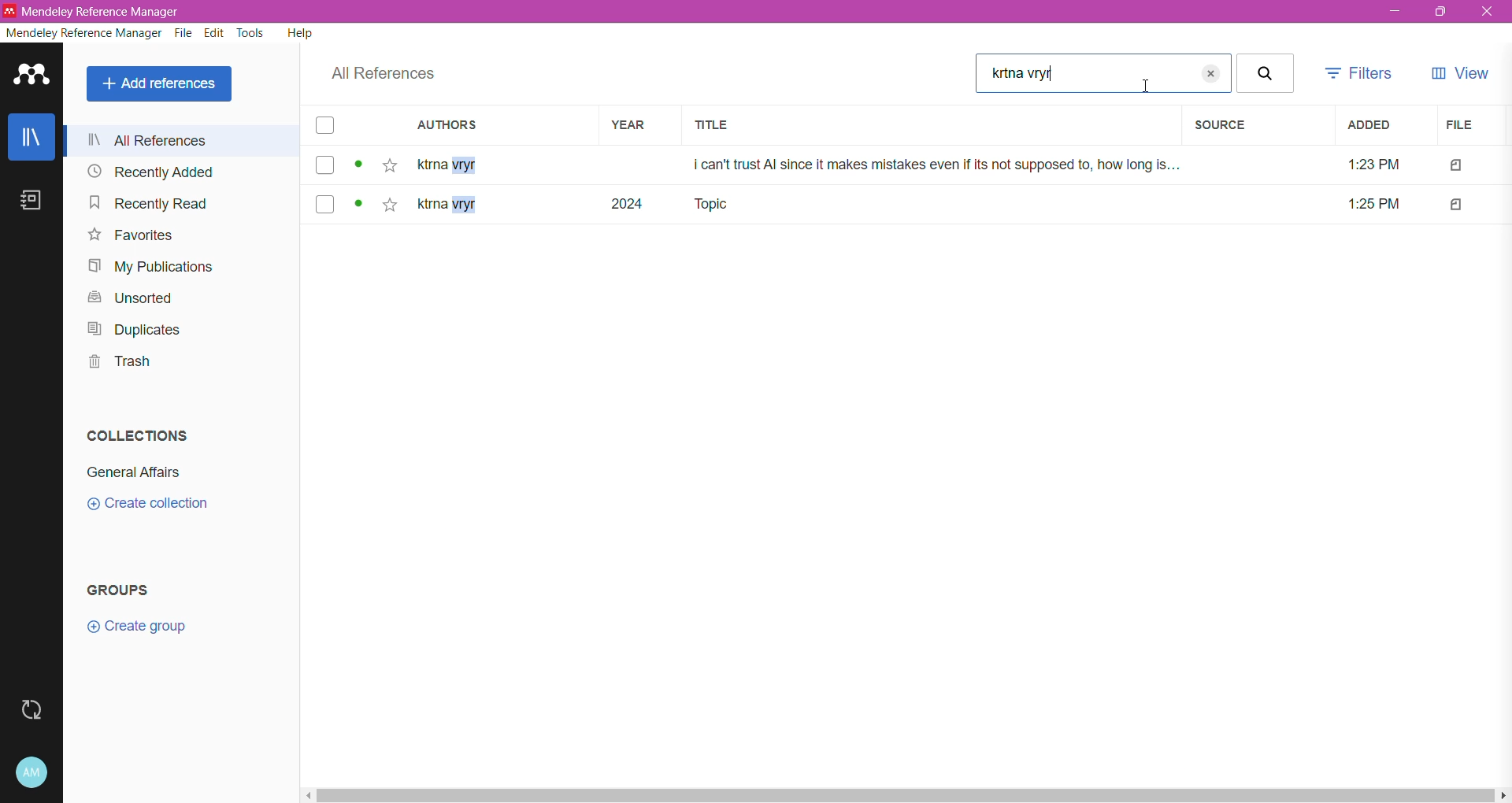 The width and height of the screenshot is (1512, 803). I want to click on Recently Added, so click(151, 172).